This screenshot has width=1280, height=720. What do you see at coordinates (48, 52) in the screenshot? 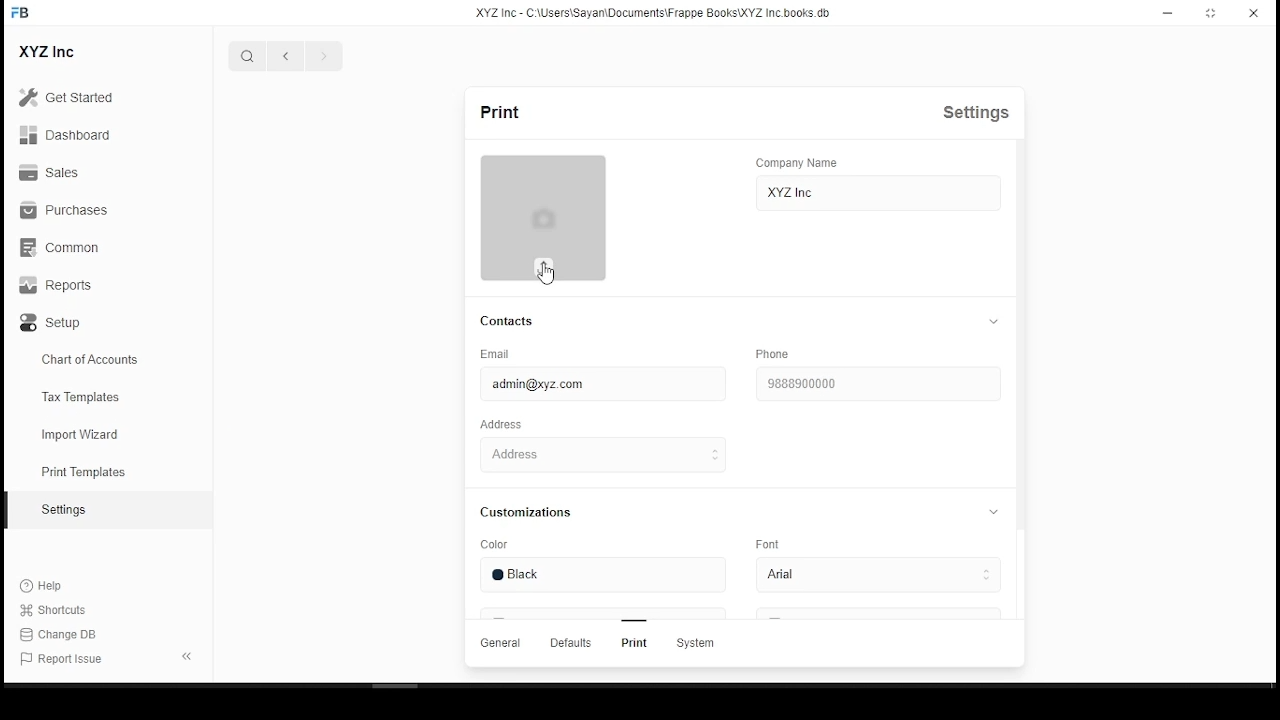
I see `XYZ Inc` at bounding box center [48, 52].